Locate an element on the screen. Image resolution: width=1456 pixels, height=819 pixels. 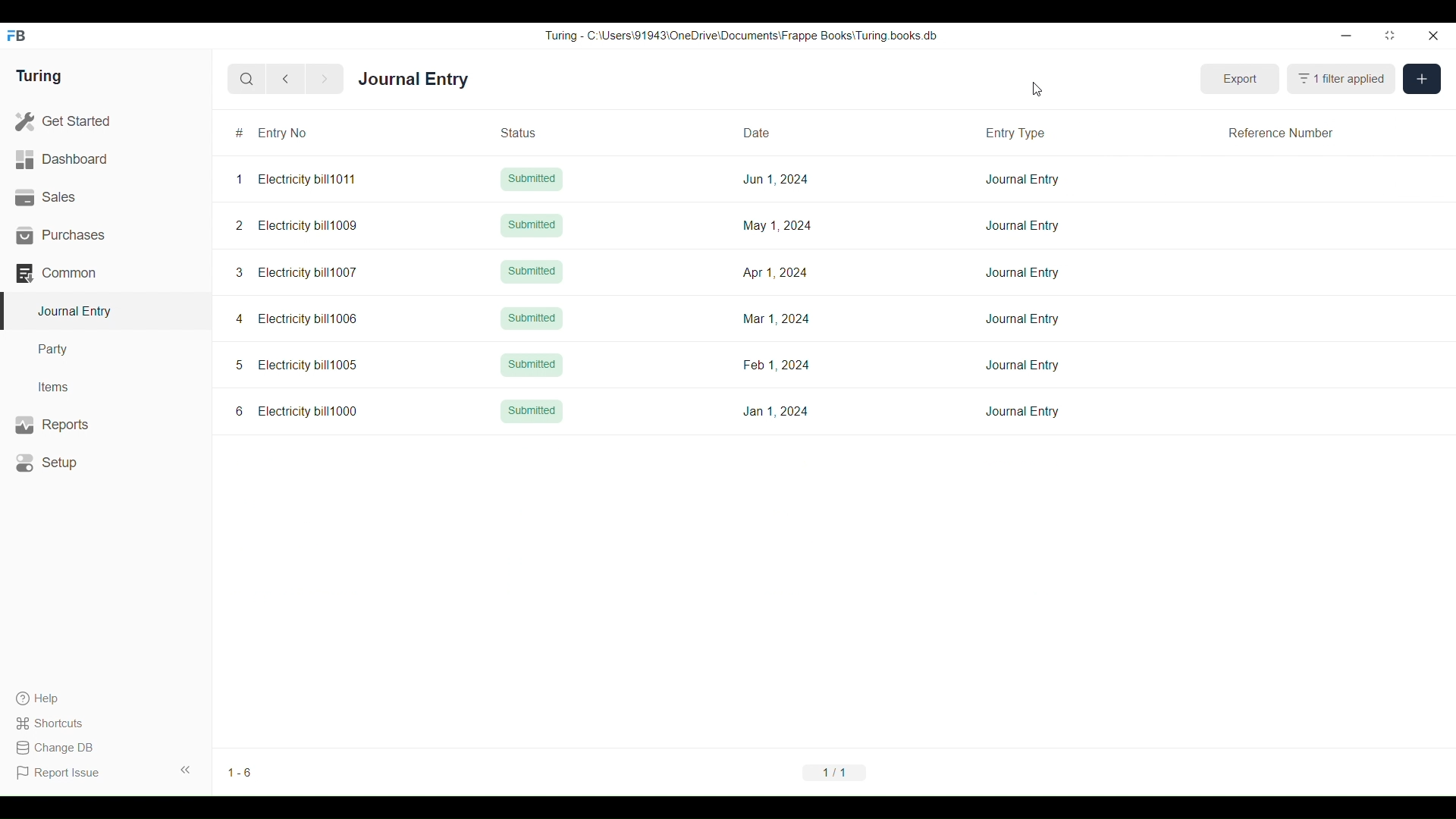
Turing - C:\Users\91943\0neDrive\Documents\Frappe Books\ Turing books db is located at coordinates (740, 36).